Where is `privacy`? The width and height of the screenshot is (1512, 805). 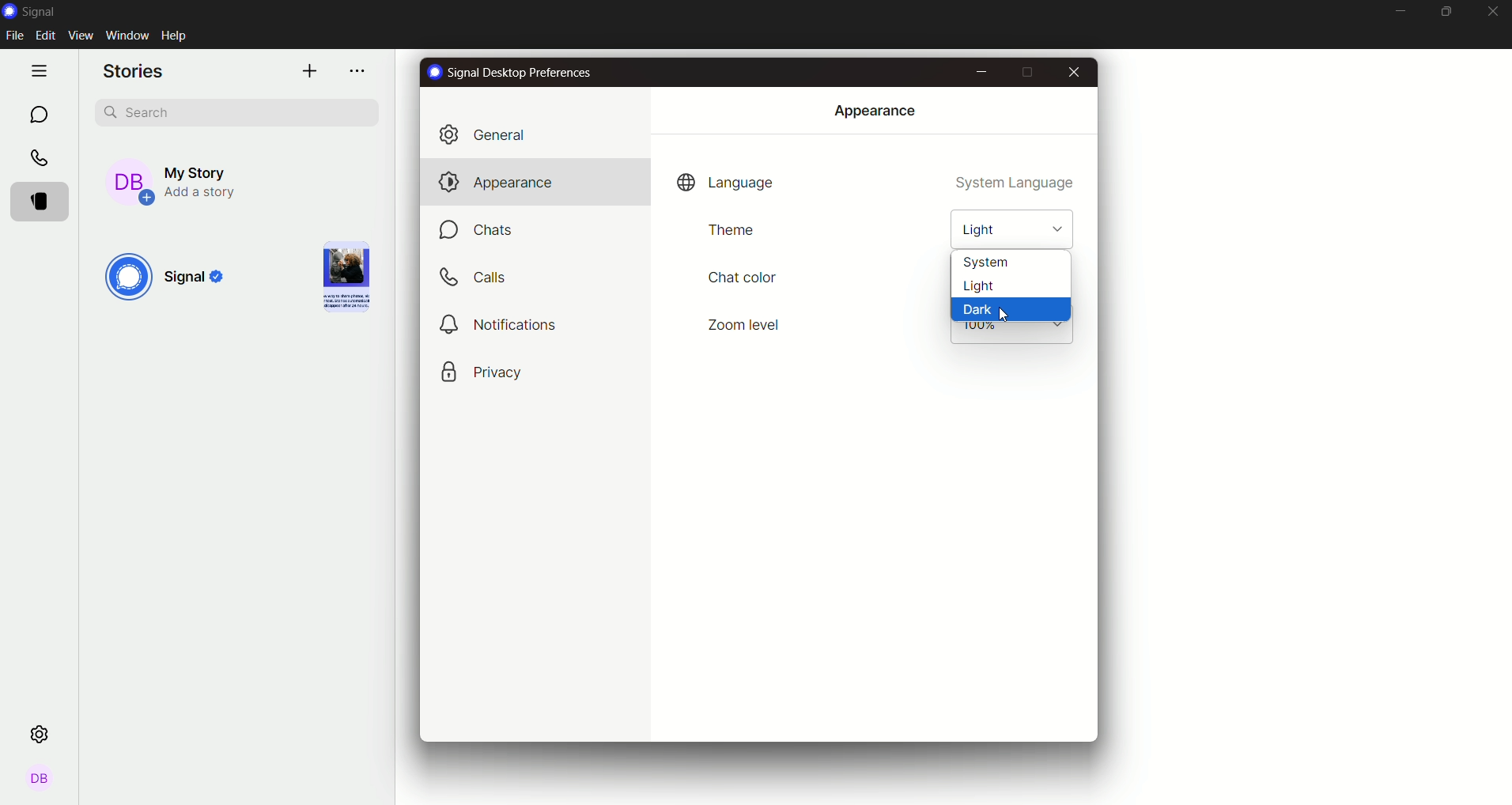 privacy is located at coordinates (482, 372).